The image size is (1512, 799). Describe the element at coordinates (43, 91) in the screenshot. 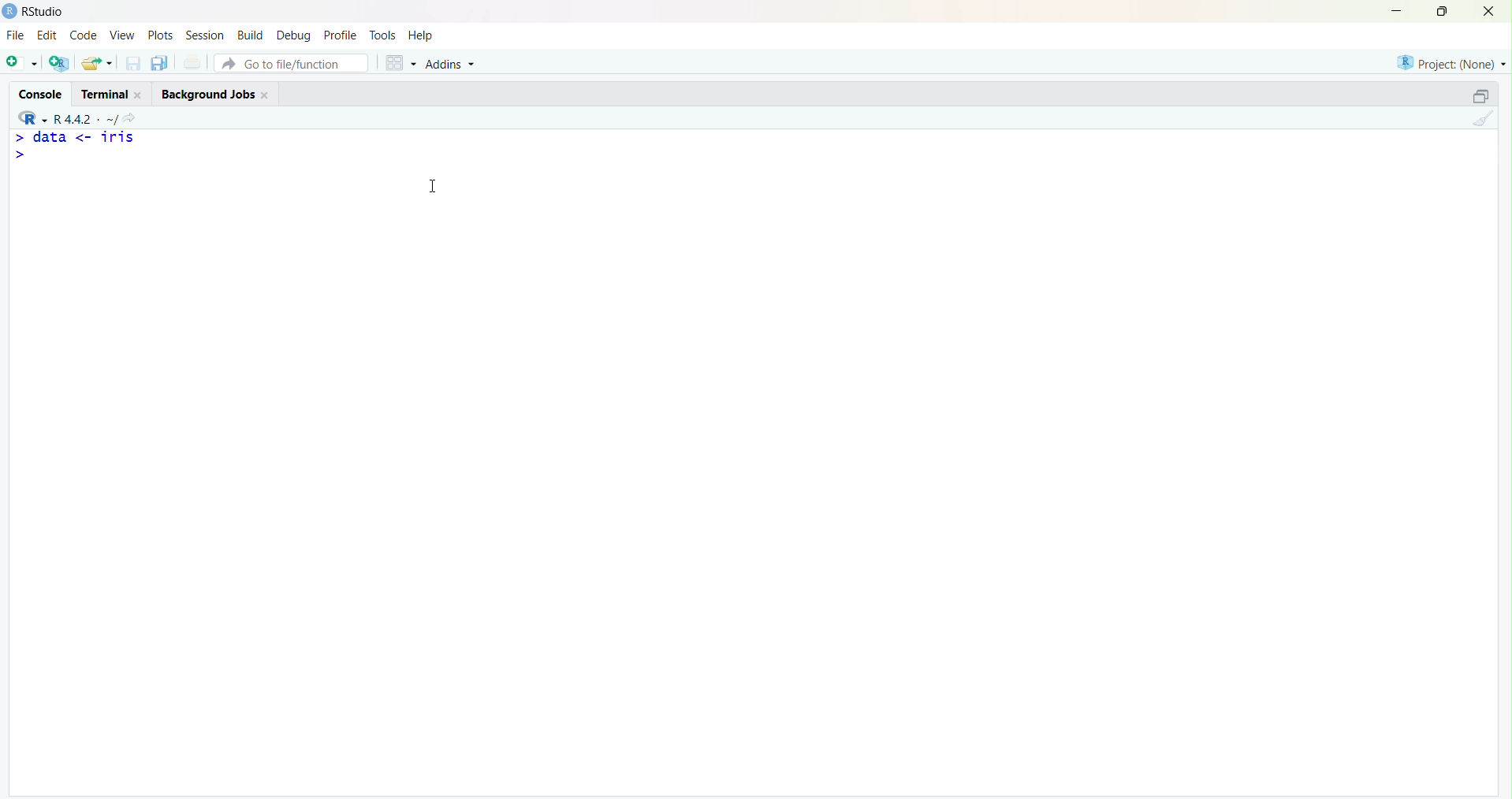

I see `Console` at that location.